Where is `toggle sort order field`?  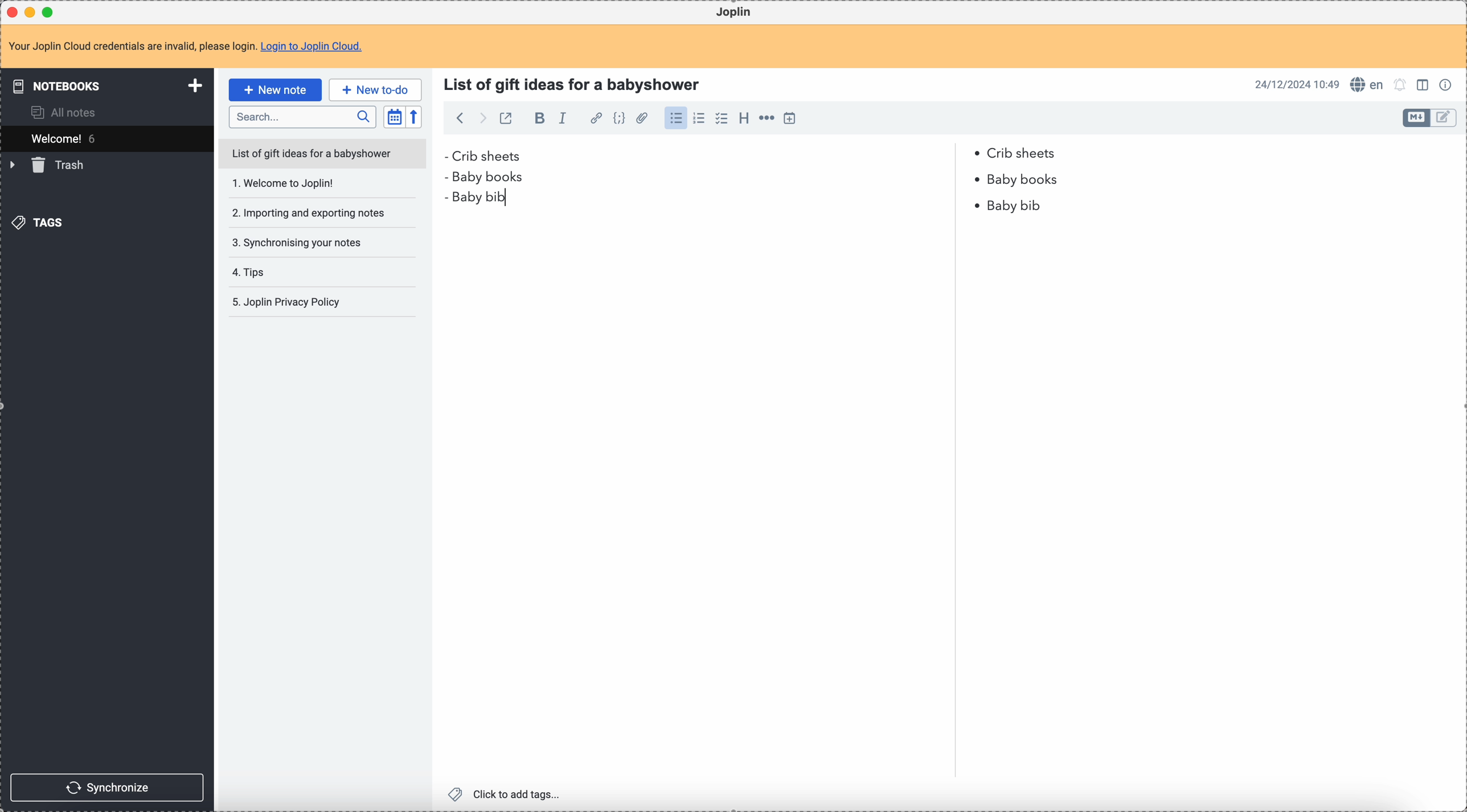
toggle sort order field is located at coordinates (394, 117).